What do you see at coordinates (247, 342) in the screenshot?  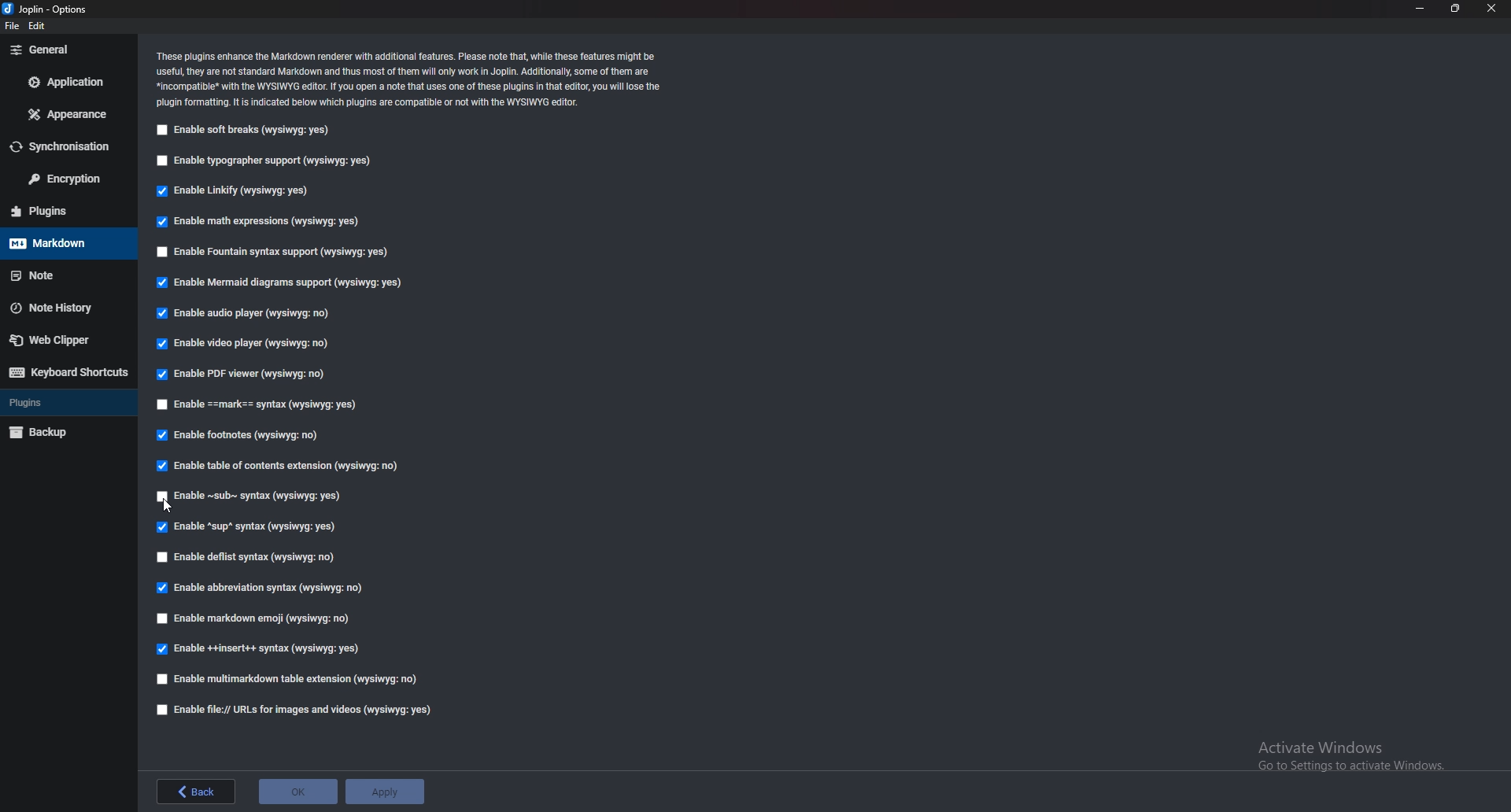 I see `Enable video player` at bounding box center [247, 342].